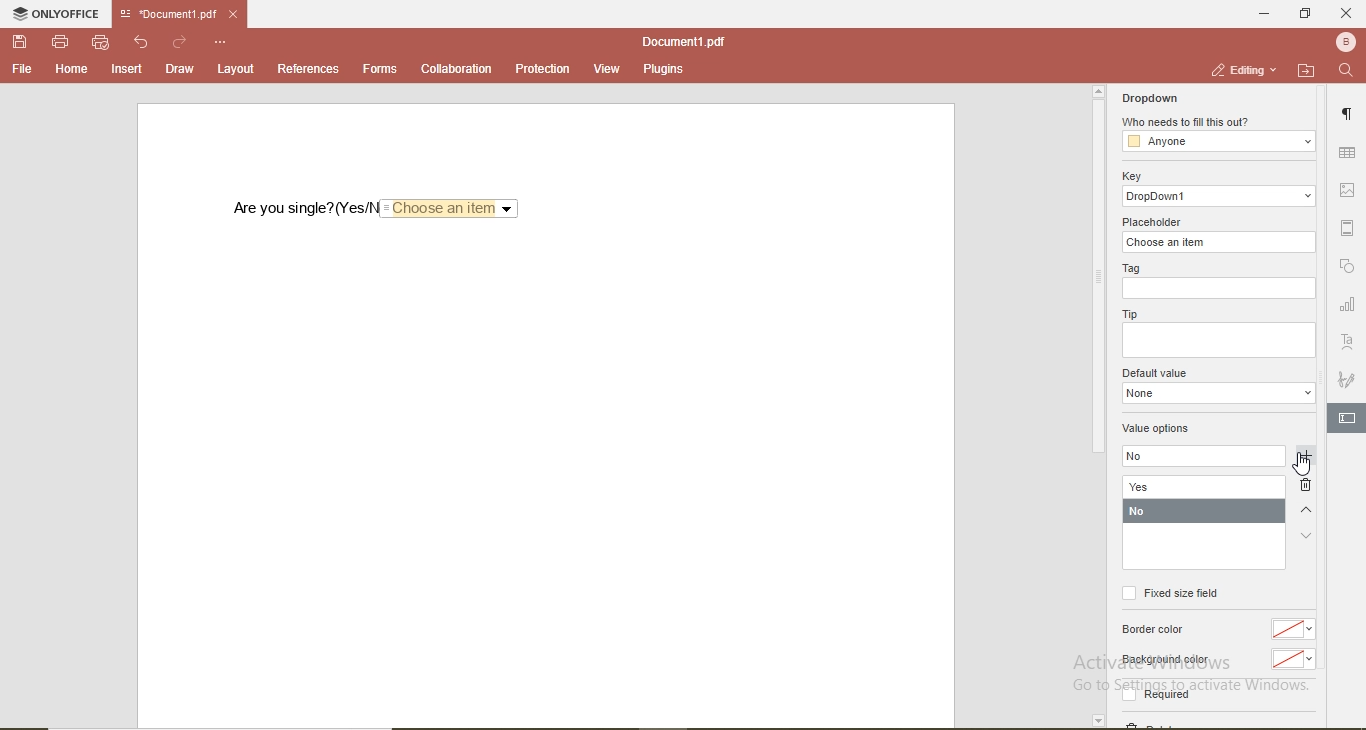  I want to click on edit, so click(1346, 417).